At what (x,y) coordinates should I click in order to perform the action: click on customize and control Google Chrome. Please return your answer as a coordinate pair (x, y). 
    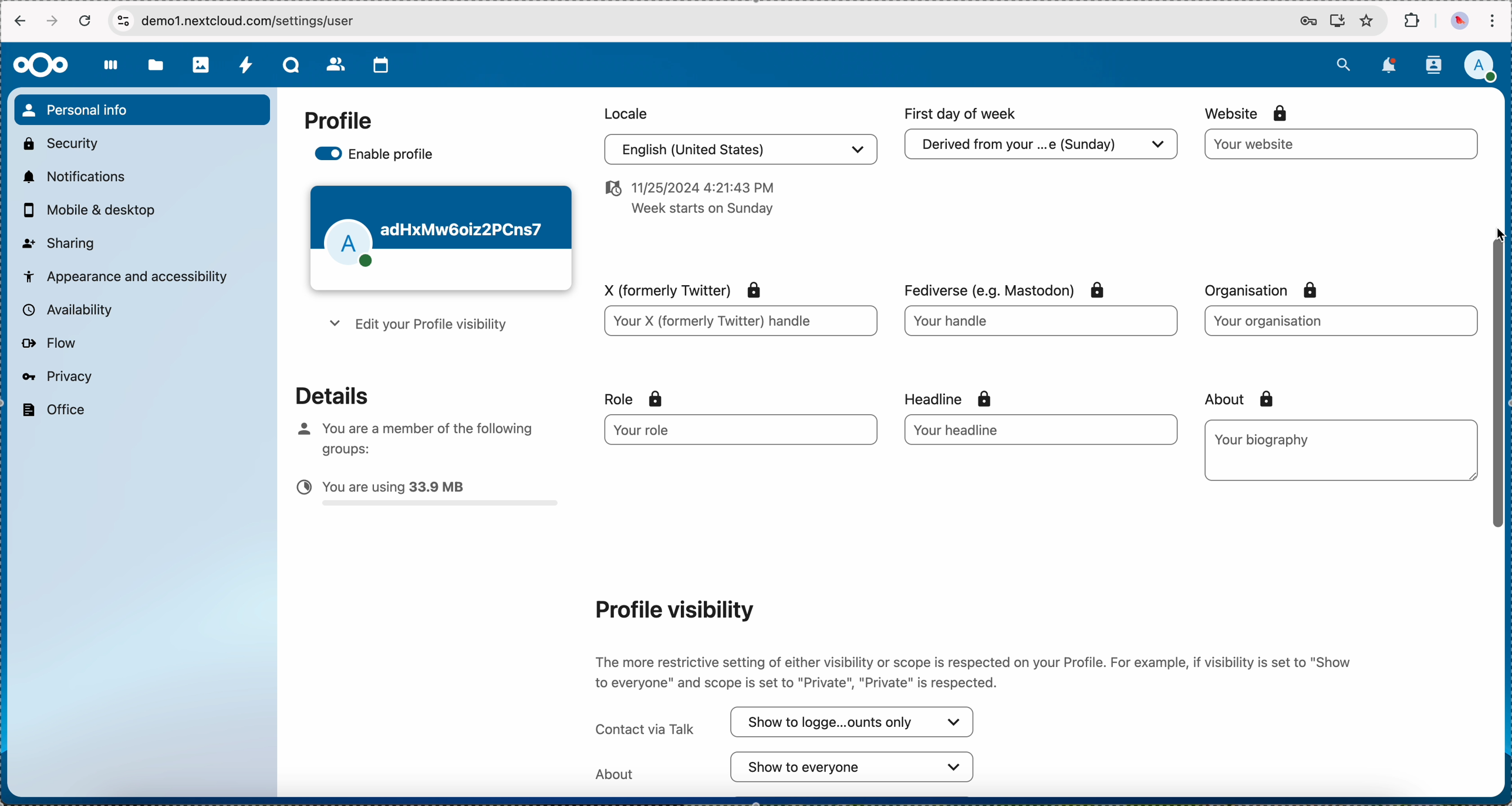
    Looking at the image, I should click on (1492, 21).